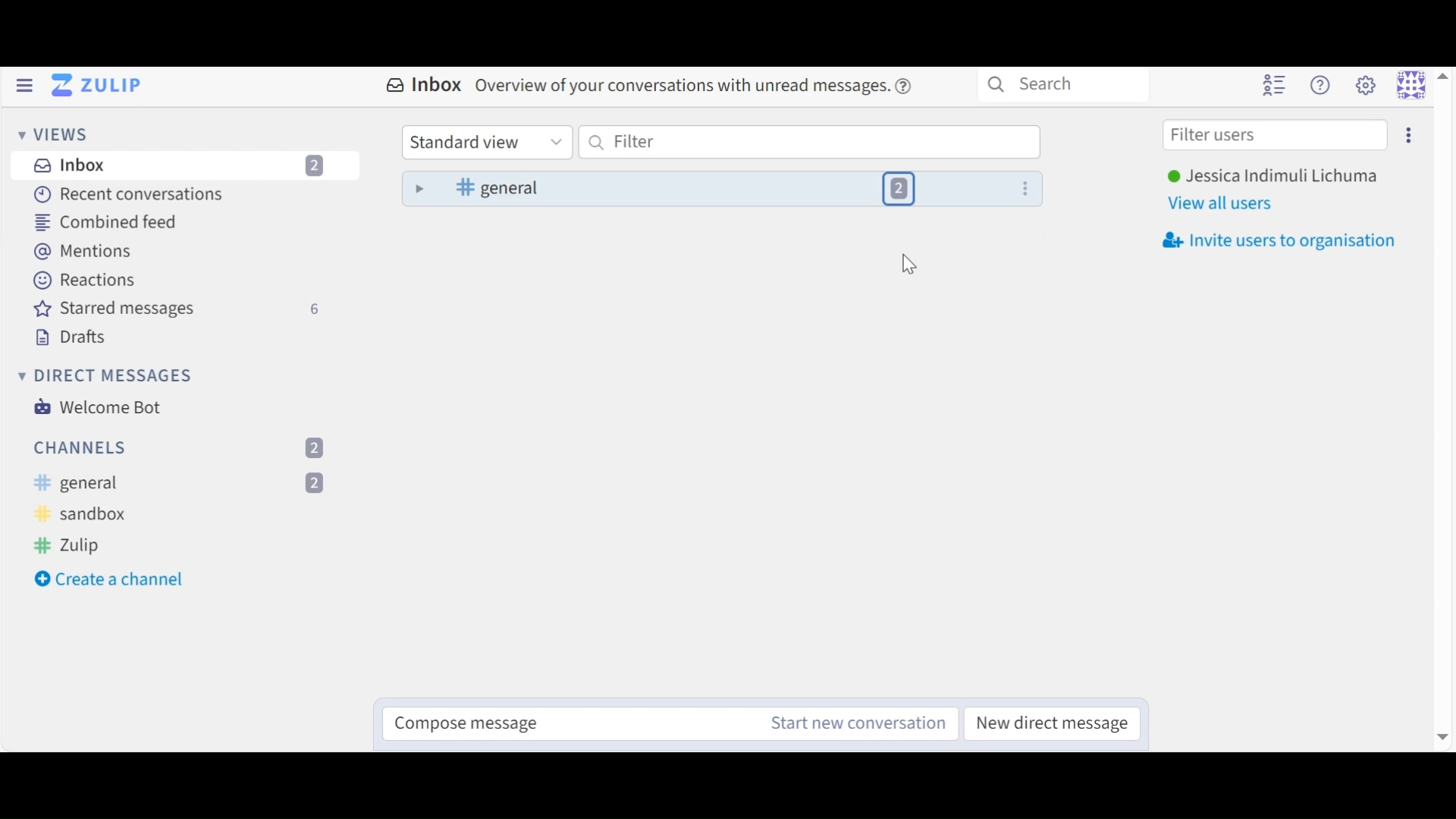 This screenshot has width=1456, height=819. Describe the element at coordinates (186, 447) in the screenshot. I see `Channes` at that location.